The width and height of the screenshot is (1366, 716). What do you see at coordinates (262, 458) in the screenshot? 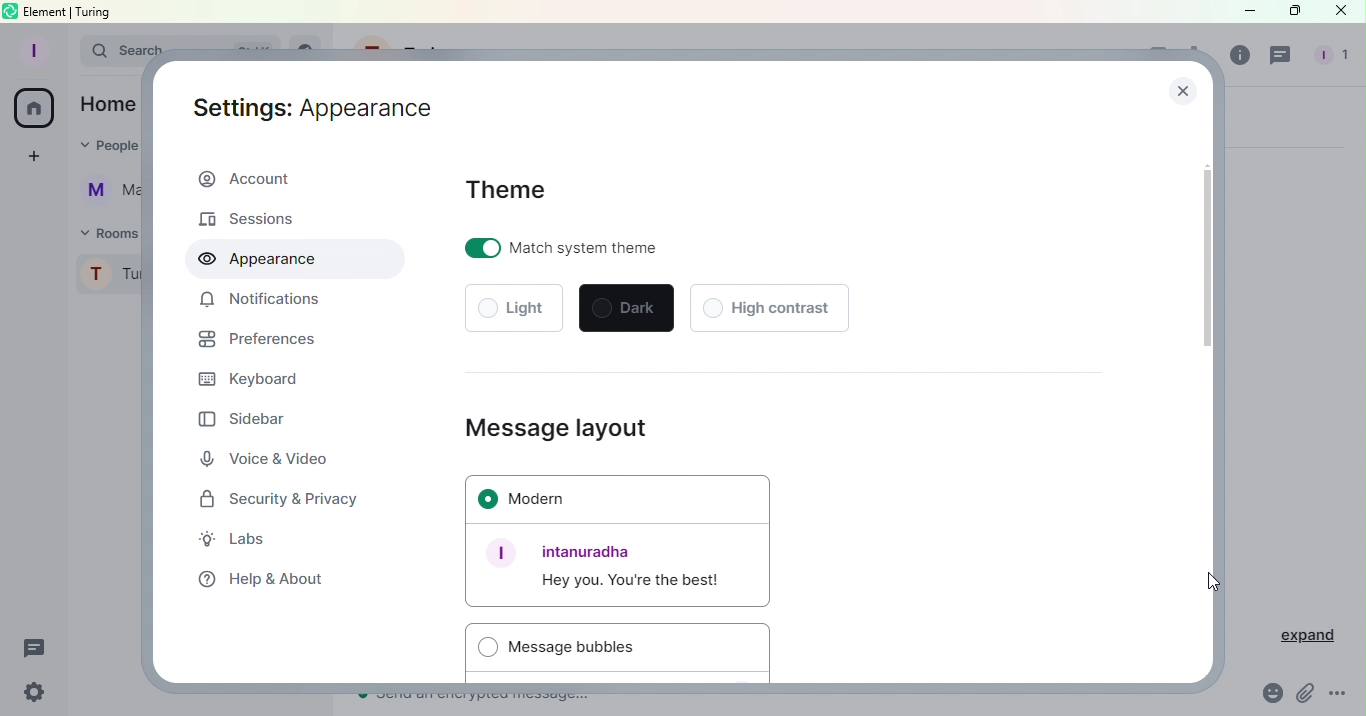
I see `Voice and Video` at bounding box center [262, 458].